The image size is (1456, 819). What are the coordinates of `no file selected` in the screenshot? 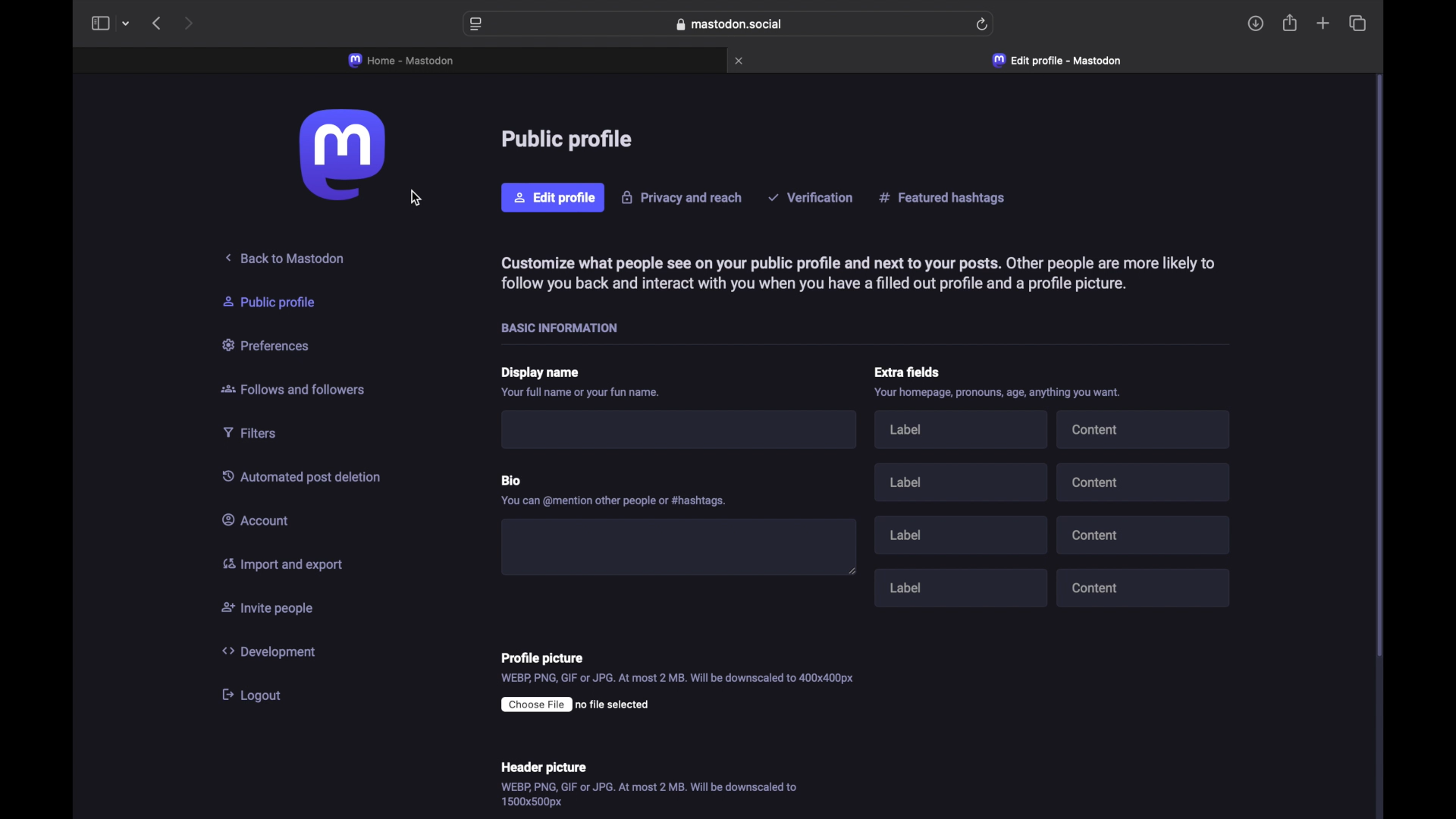 It's located at (615, 704).